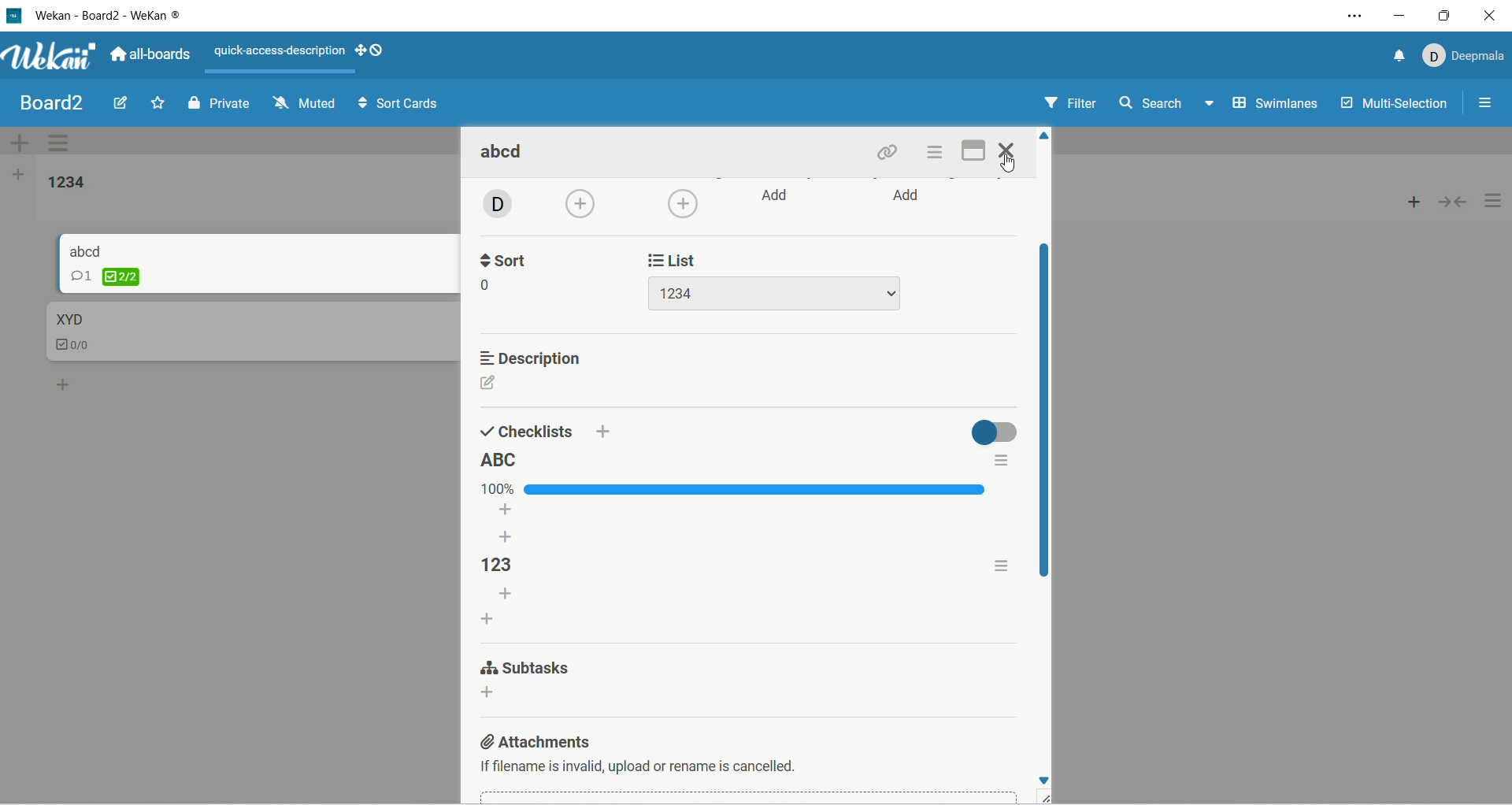 The height and width of the screenshot is (805, 1512). What do you see at coordinates (306, 102) in the screenshot?
I see `muted` at bounding box center [306, 102].